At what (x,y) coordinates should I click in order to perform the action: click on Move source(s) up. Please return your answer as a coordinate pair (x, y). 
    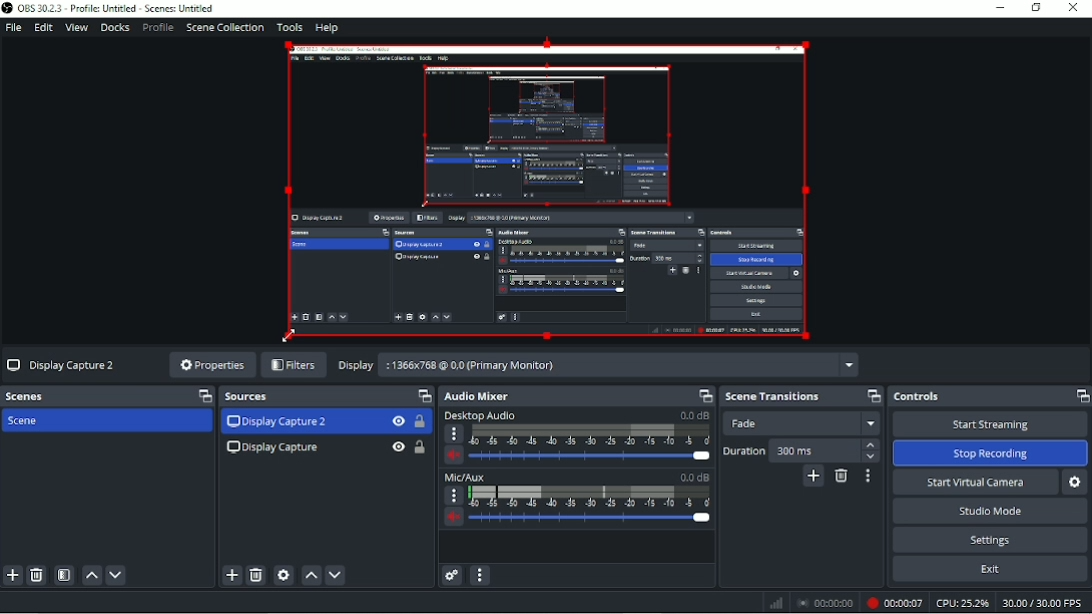
    Looking at the image, I should click on (311, 576).